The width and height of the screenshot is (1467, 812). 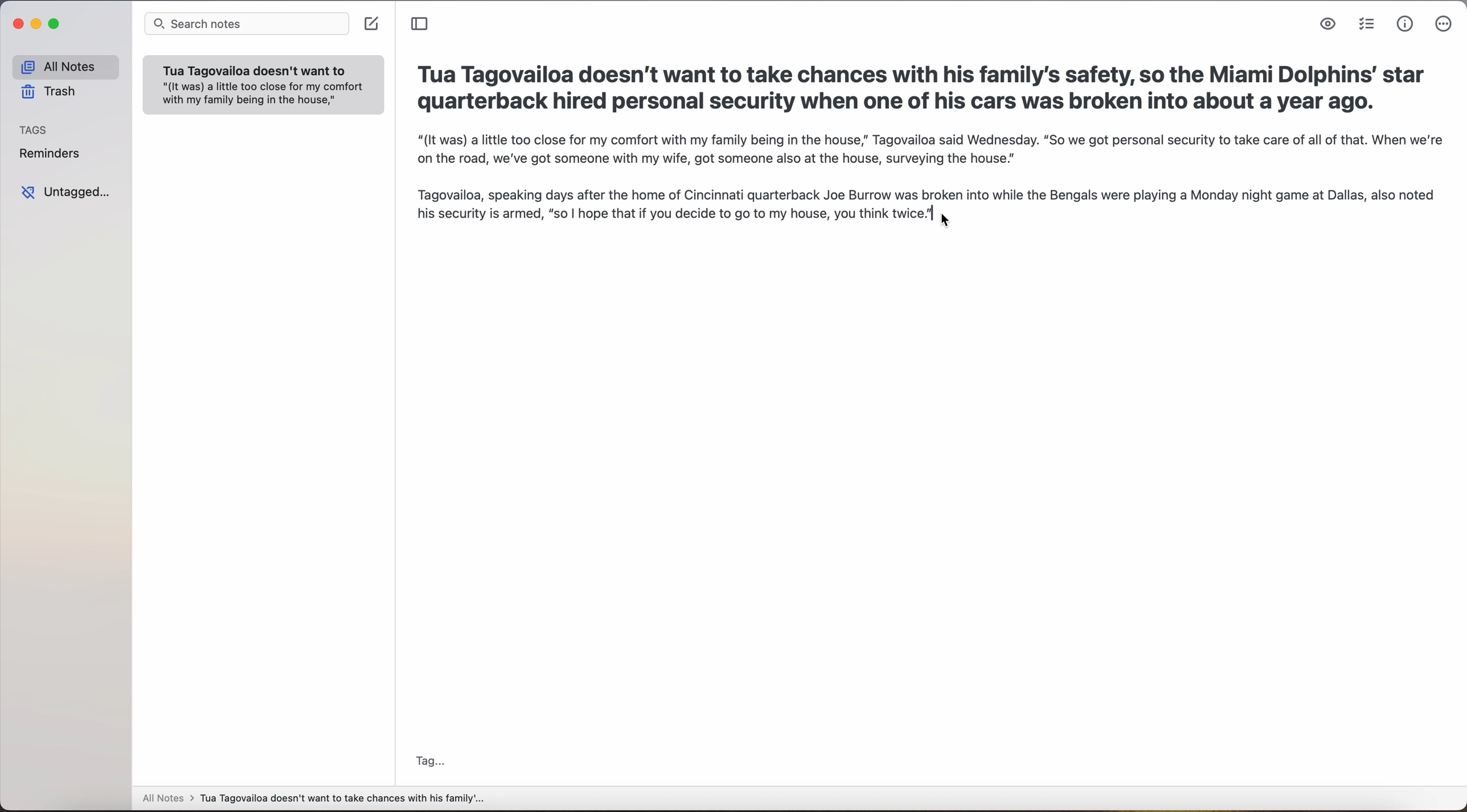 What do you see at coordinates (35, 130) in the screenshot?
I see `tags` at bounding box center [35, 130].